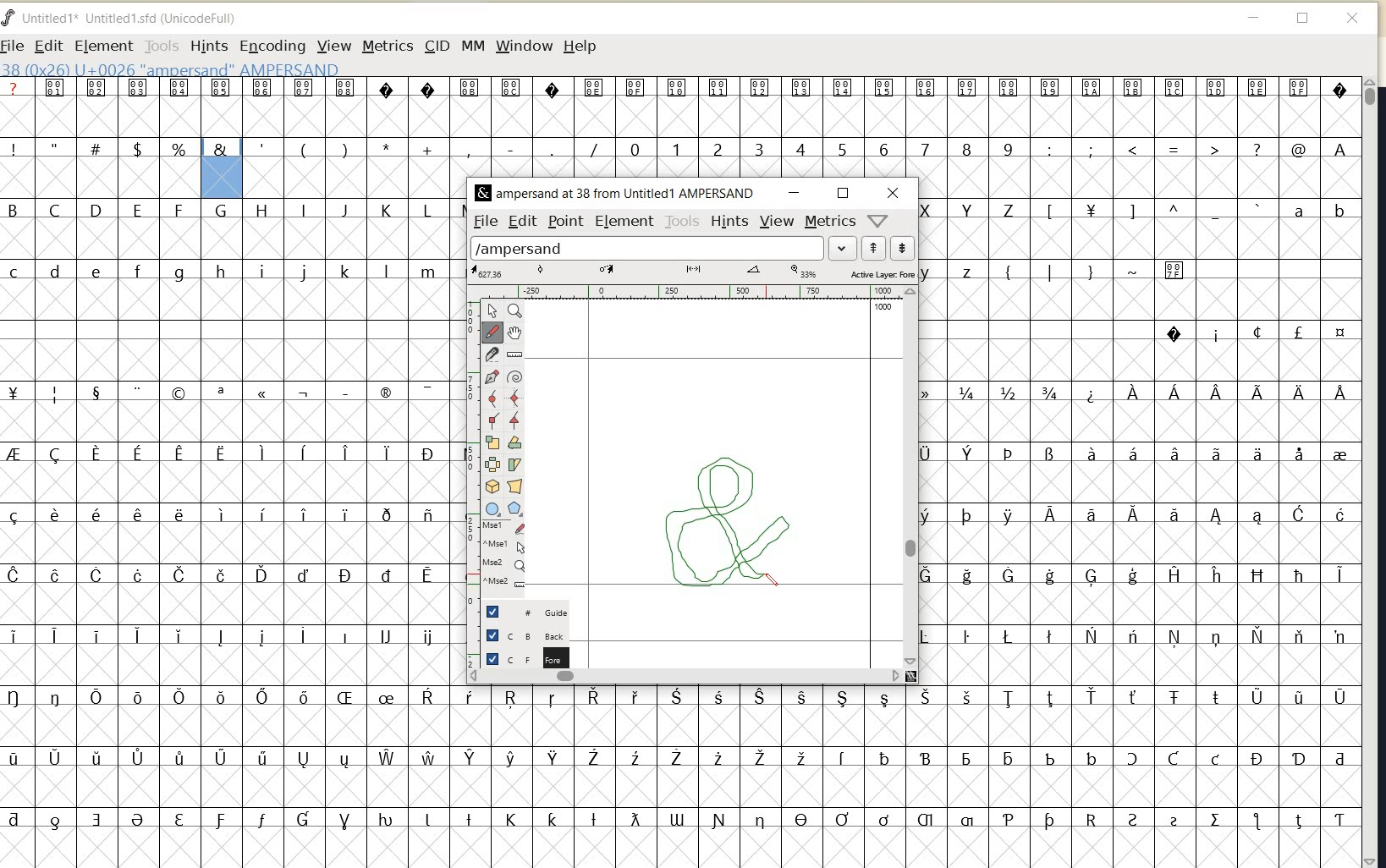 Image resolution: width=1386 pixels, height=868 pixels. Describe the element at coordinates (160, 47) in the screenshot. I see `TOOLS` at that location.